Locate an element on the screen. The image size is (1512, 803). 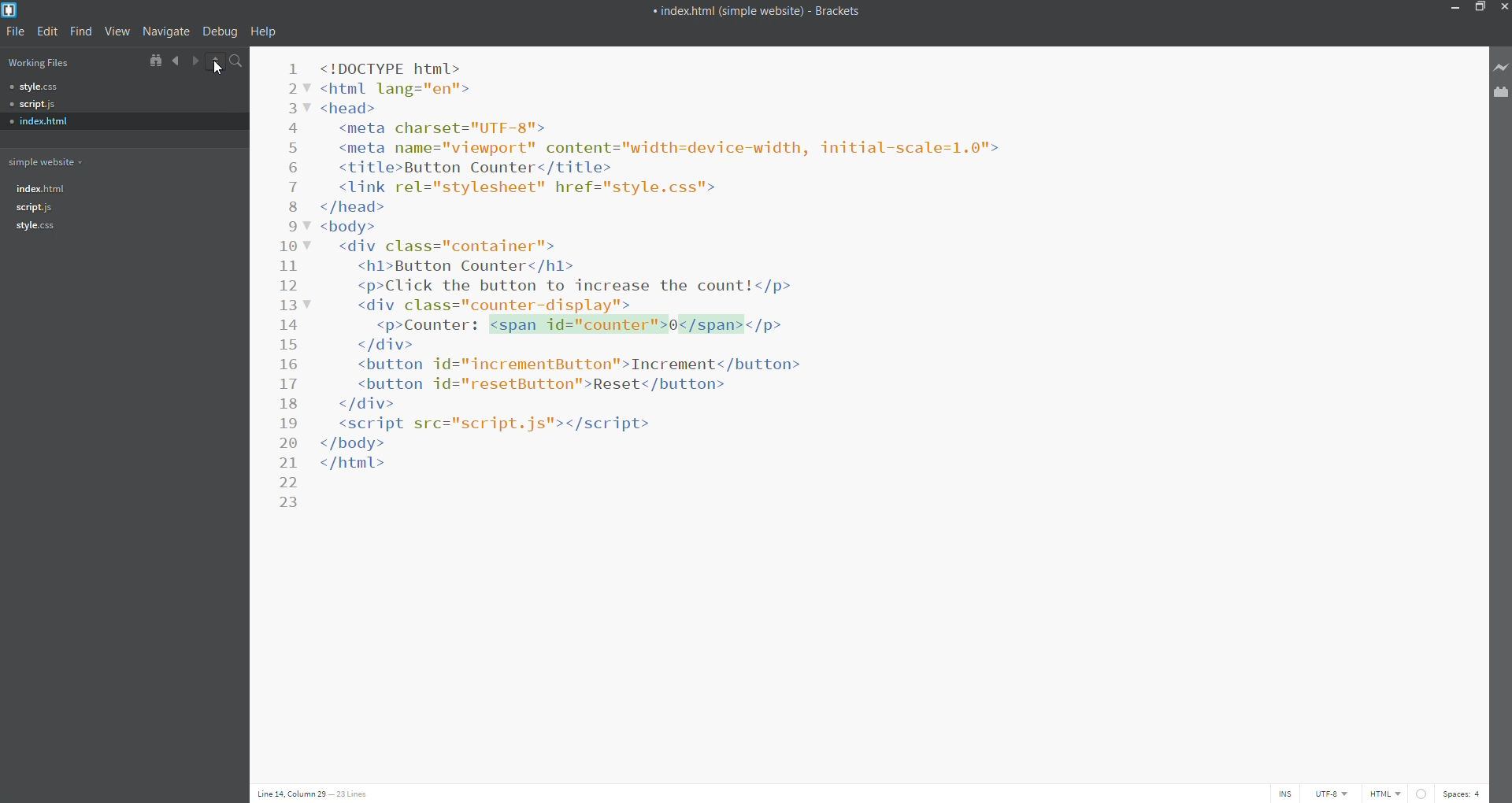
close is located at coordinates (1503, 7).